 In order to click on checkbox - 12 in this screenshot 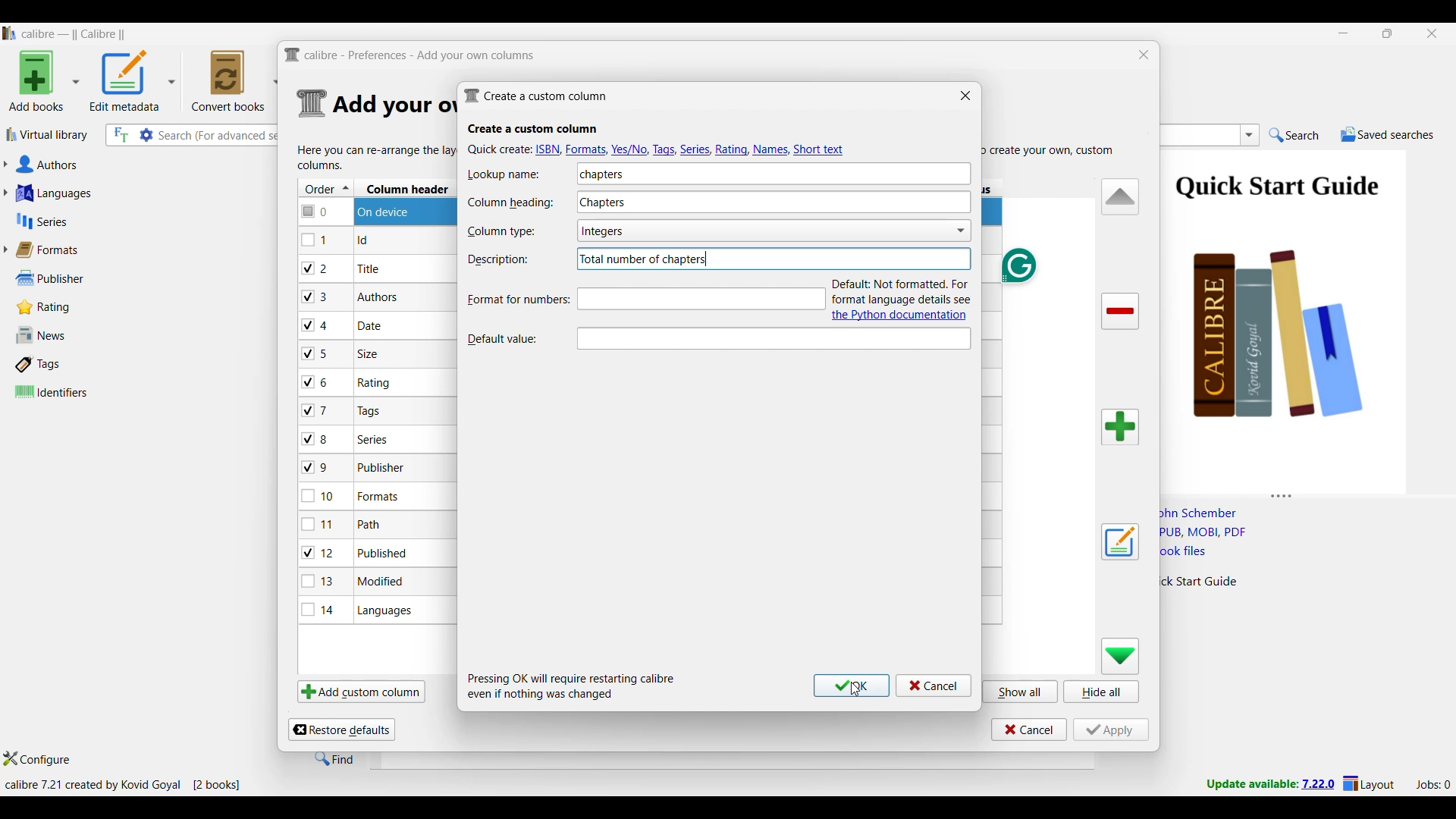, I will do `click(320, 552)`.